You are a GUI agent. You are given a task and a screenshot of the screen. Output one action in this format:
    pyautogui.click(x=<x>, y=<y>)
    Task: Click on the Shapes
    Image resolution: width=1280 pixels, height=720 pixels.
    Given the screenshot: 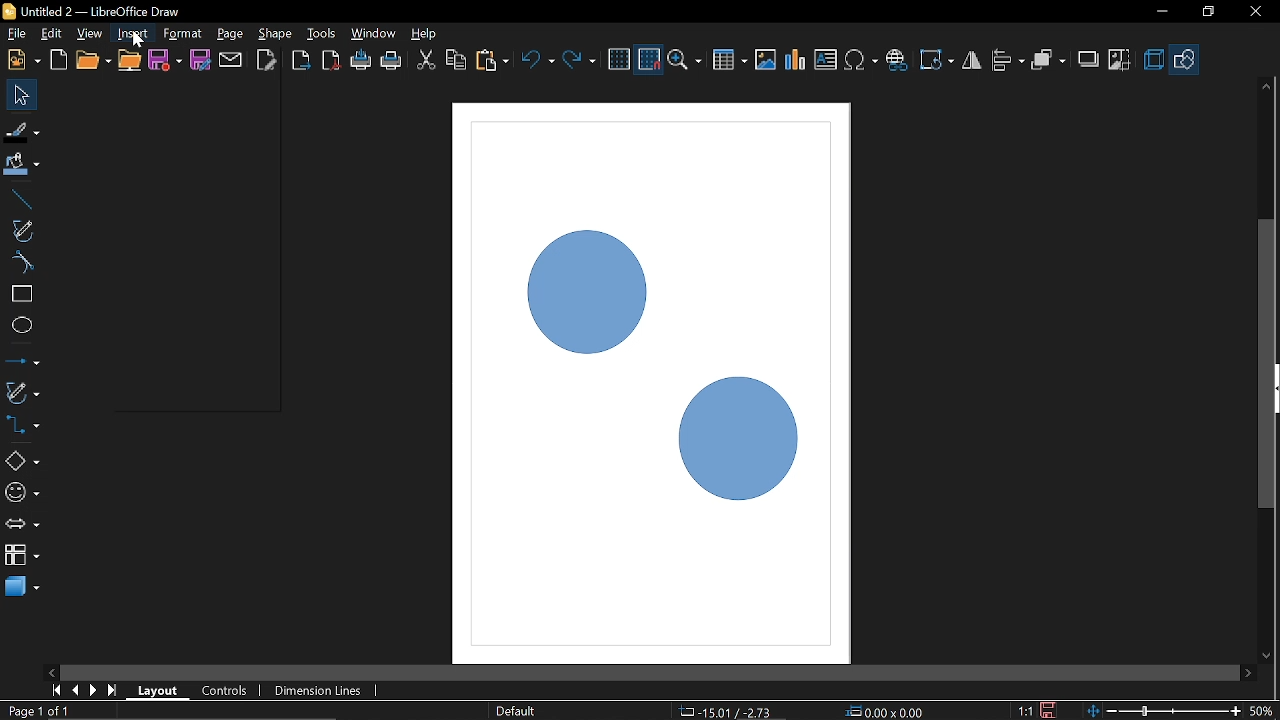 What is the action you would take?
    pyautogui.click(x=21, y=460)
    